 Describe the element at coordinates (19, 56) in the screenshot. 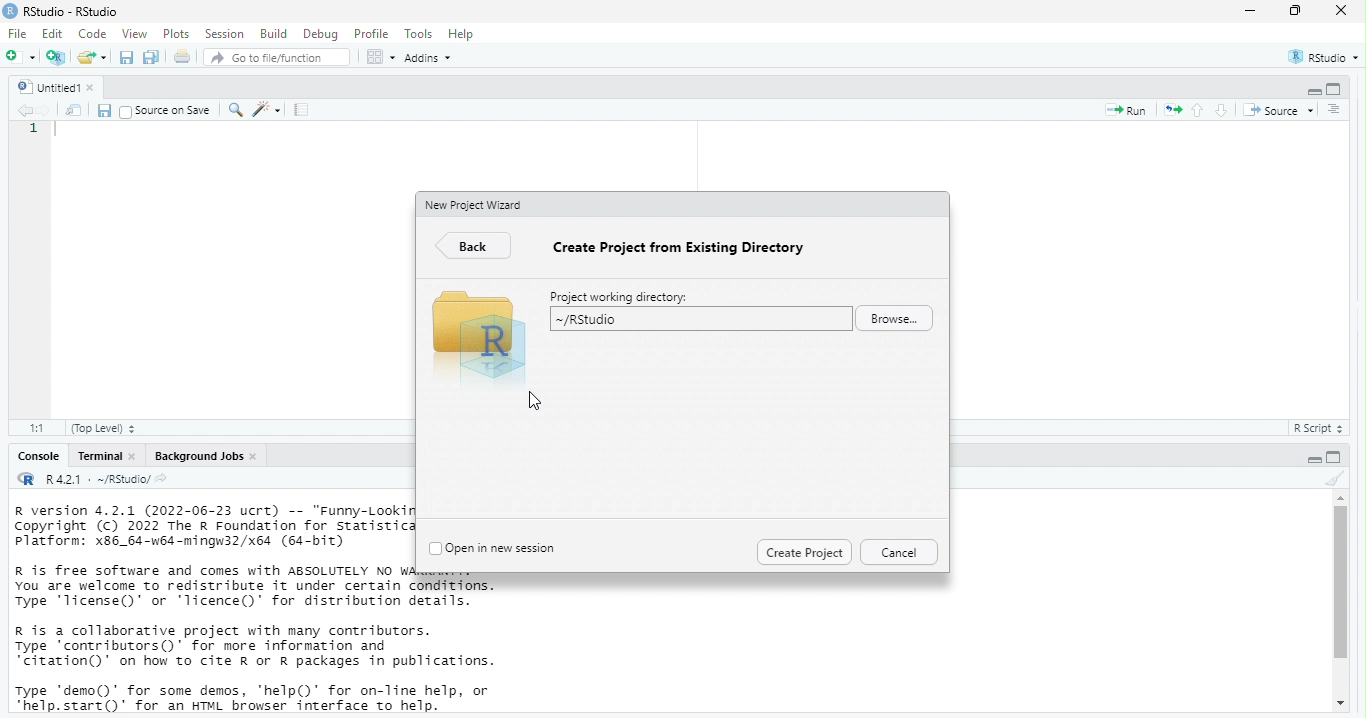

I see `new file` at that location.